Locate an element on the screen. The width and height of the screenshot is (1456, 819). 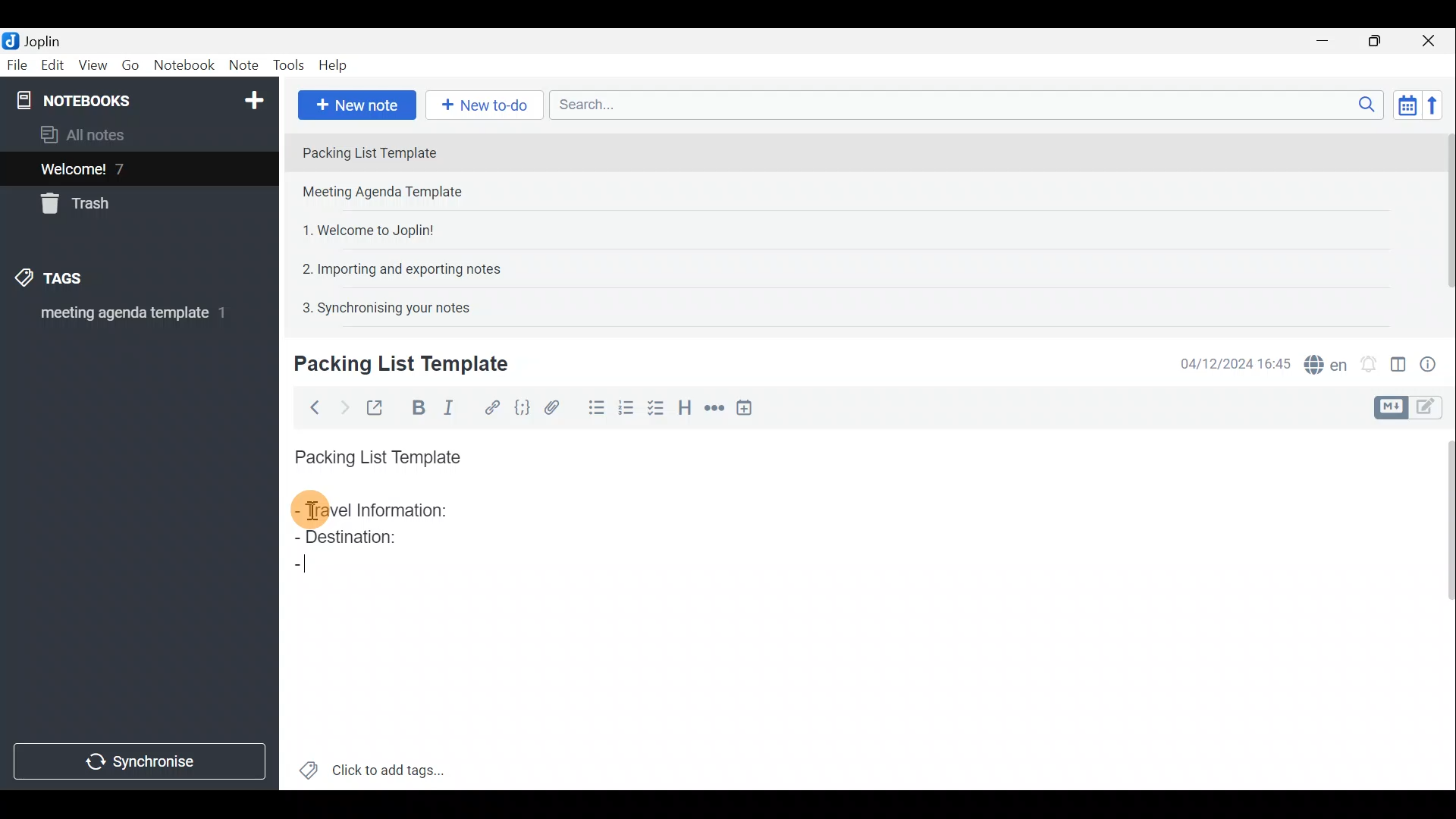
Trash is located at coordinates (81, 206).